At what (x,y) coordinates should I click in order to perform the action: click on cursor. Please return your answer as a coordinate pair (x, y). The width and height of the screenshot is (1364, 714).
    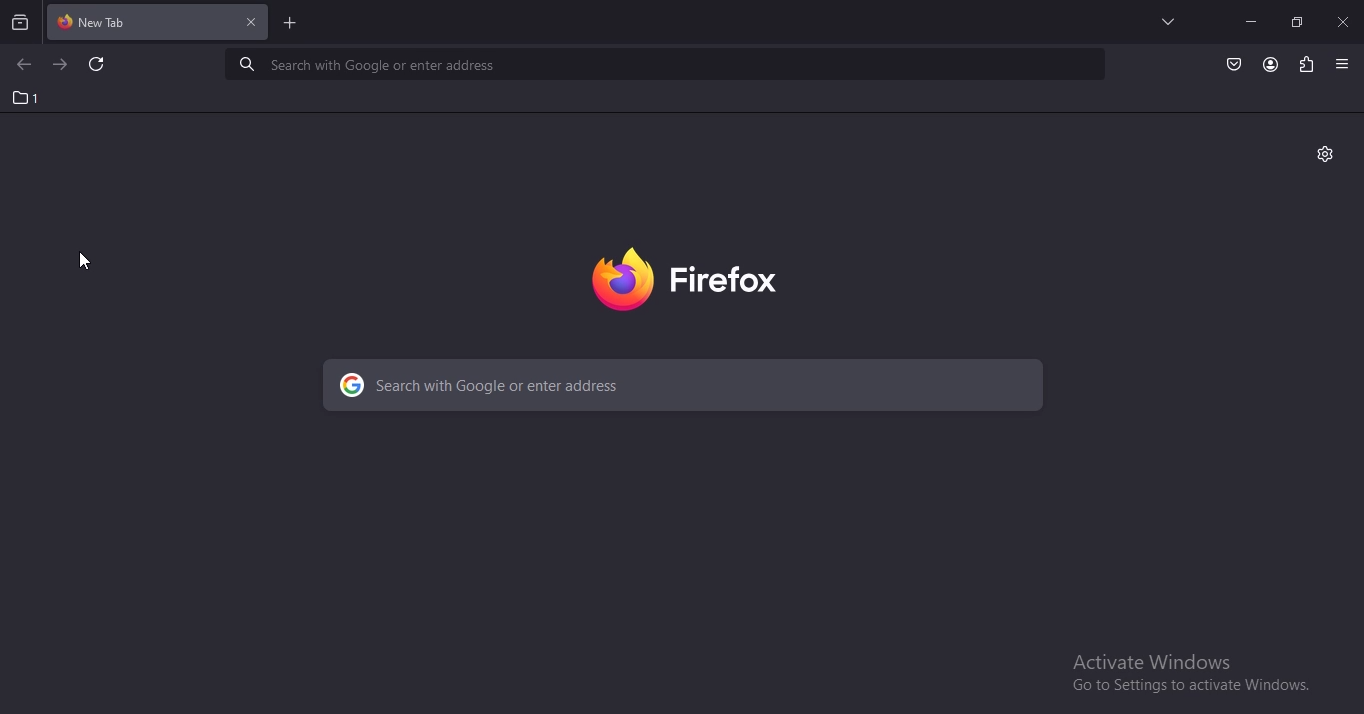
    Looking at the image, I should click on (85, 261).